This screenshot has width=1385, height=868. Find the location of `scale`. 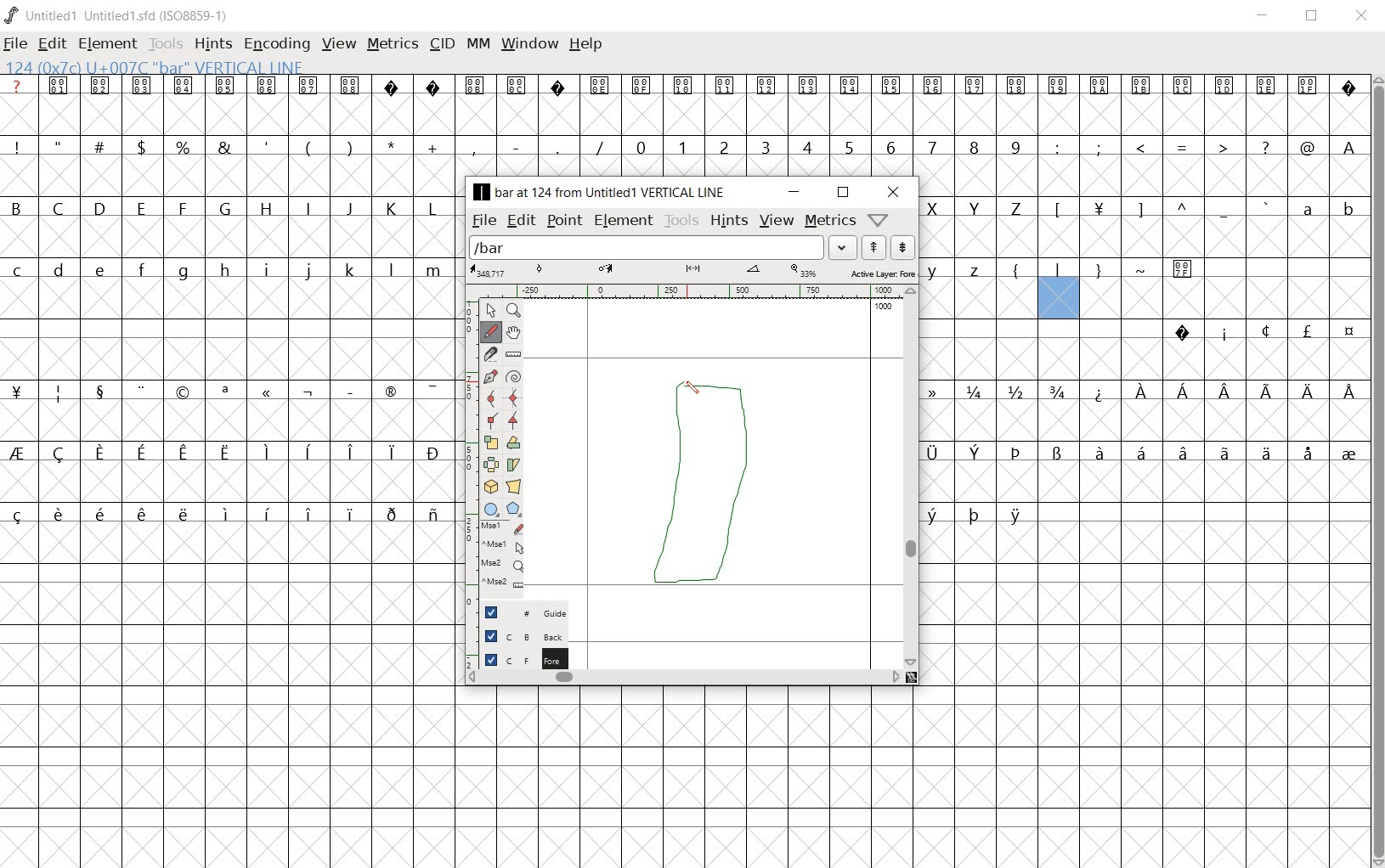

scale is located at coordinates (692, 270).